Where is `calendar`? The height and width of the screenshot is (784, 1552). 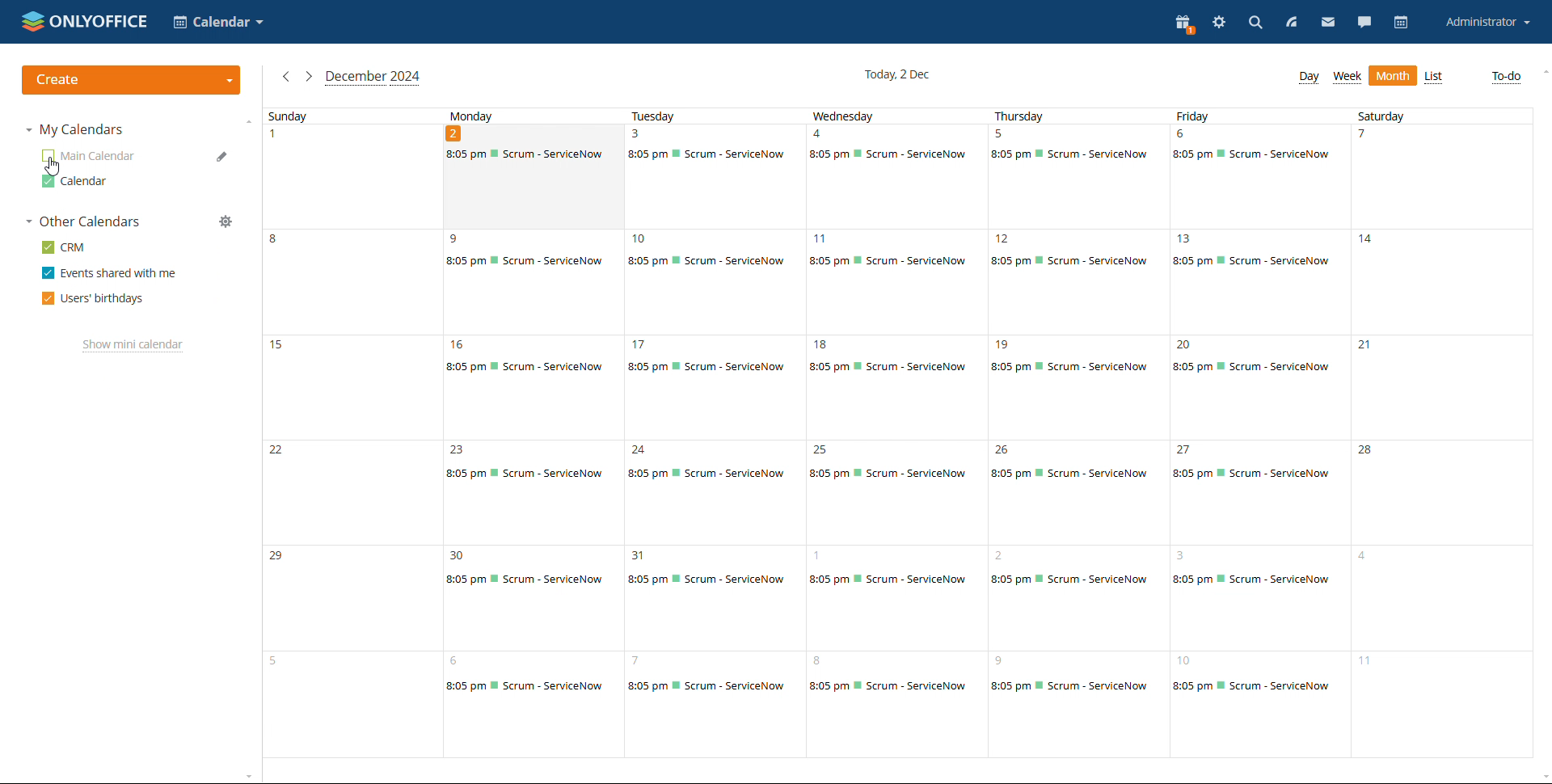
calendar is located at coordinates (1401, 23).